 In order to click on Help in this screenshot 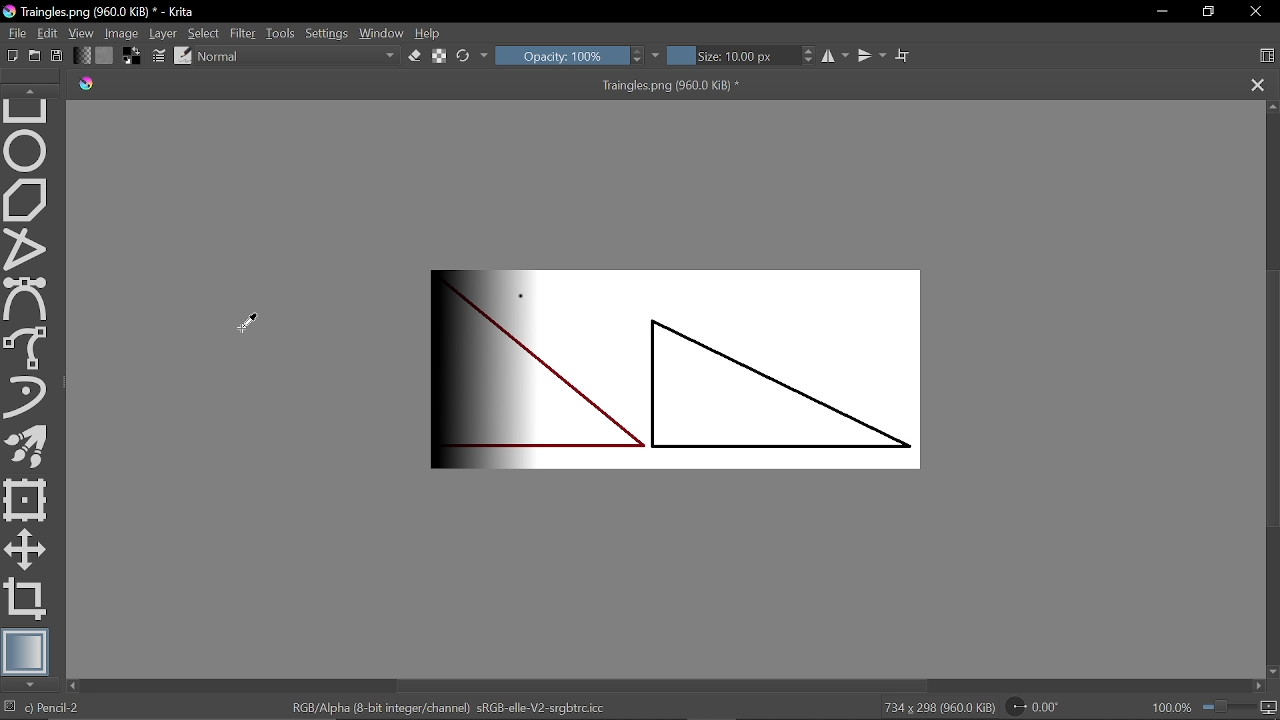, I will do `click(433, 33)`.